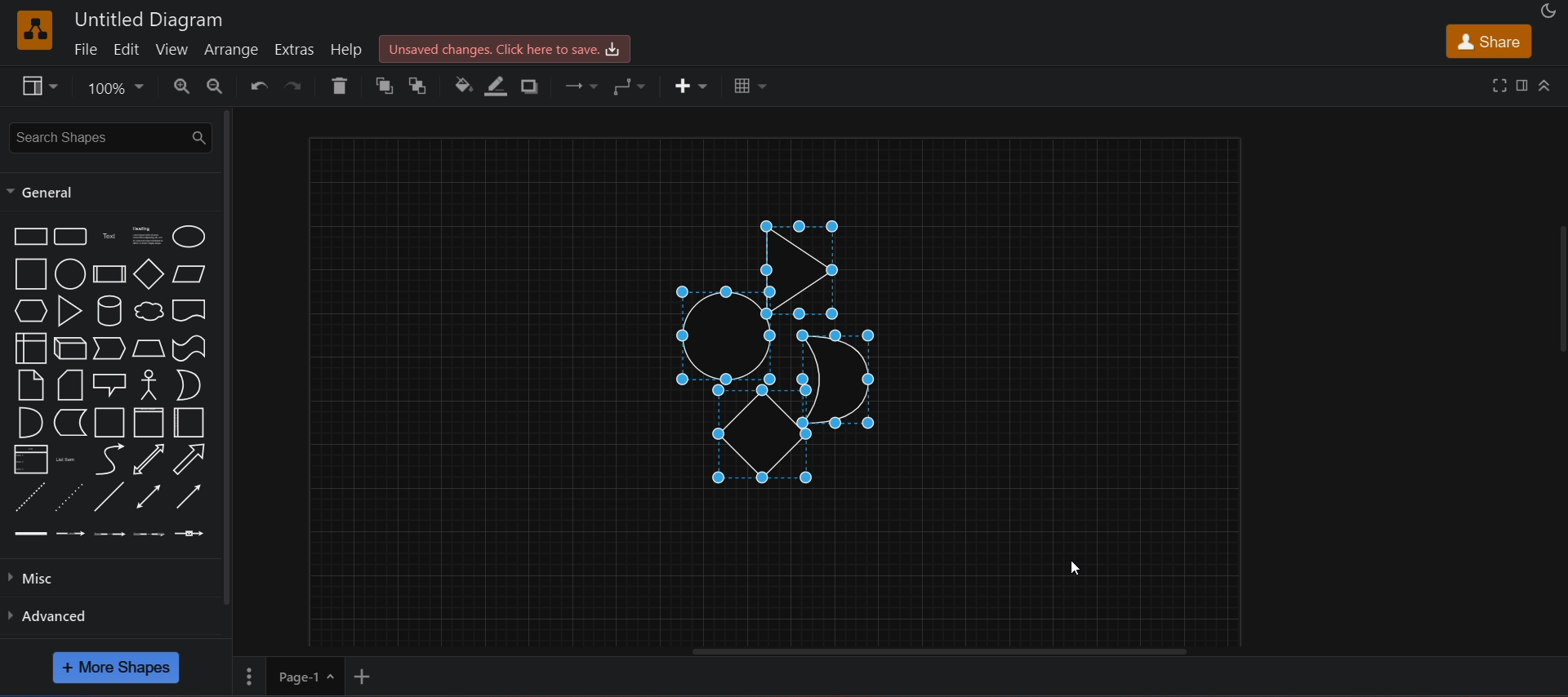 The image size is (1568, 697). Describe the element at coordinates (146, 313) in the screenshot. I see `cloud` at that location.